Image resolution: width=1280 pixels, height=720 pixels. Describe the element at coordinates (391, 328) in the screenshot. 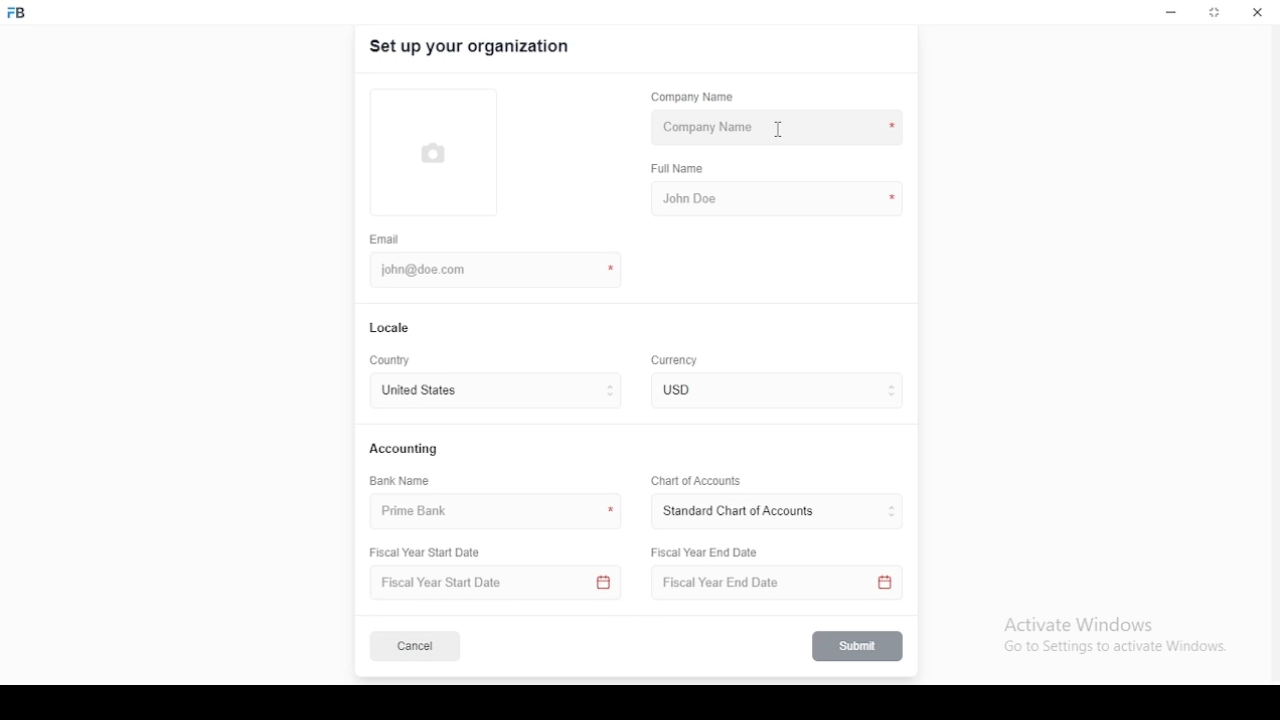

I see `locale` at that location.